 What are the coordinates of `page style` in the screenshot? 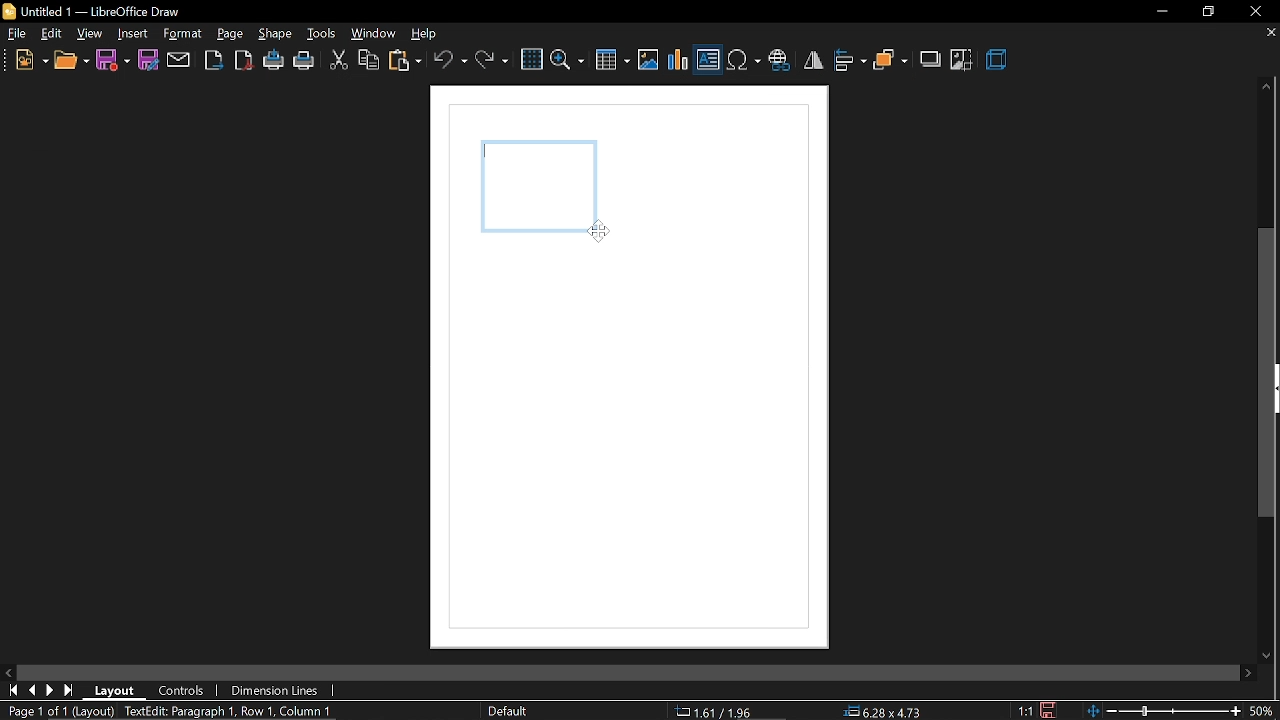 It's located at (511, 711).